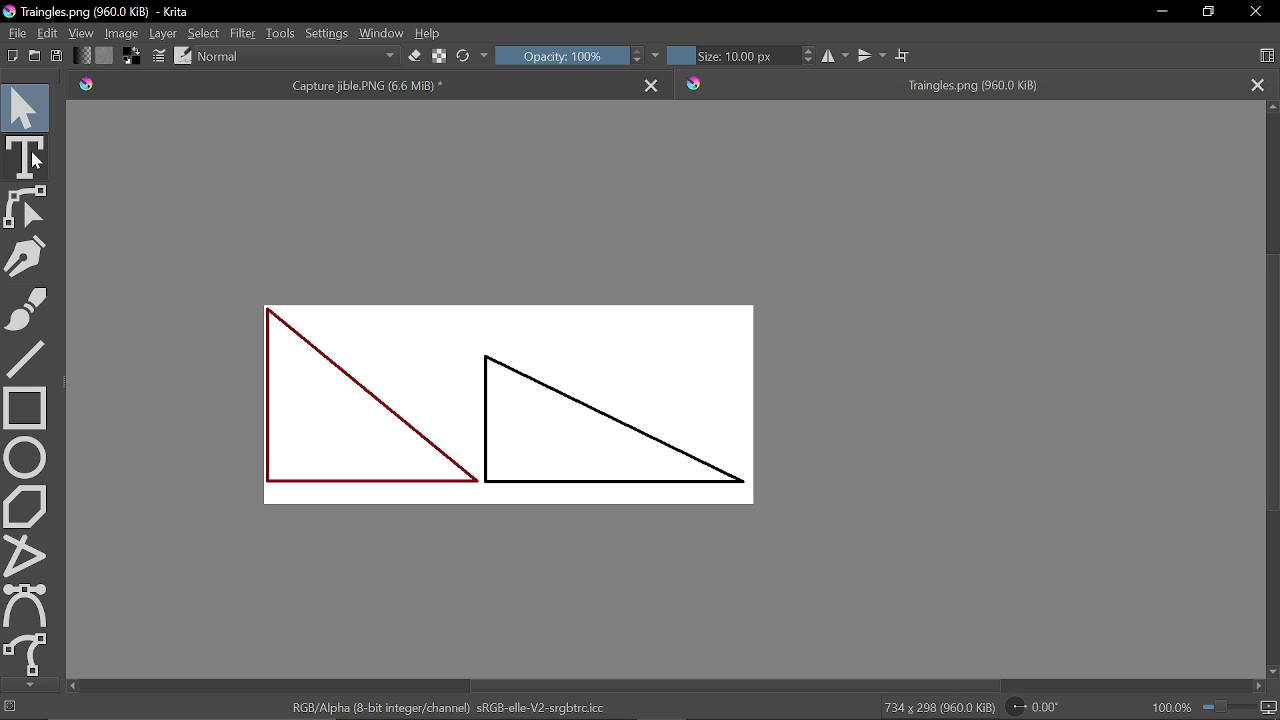  I want to click on 100, so click(1170, 710).